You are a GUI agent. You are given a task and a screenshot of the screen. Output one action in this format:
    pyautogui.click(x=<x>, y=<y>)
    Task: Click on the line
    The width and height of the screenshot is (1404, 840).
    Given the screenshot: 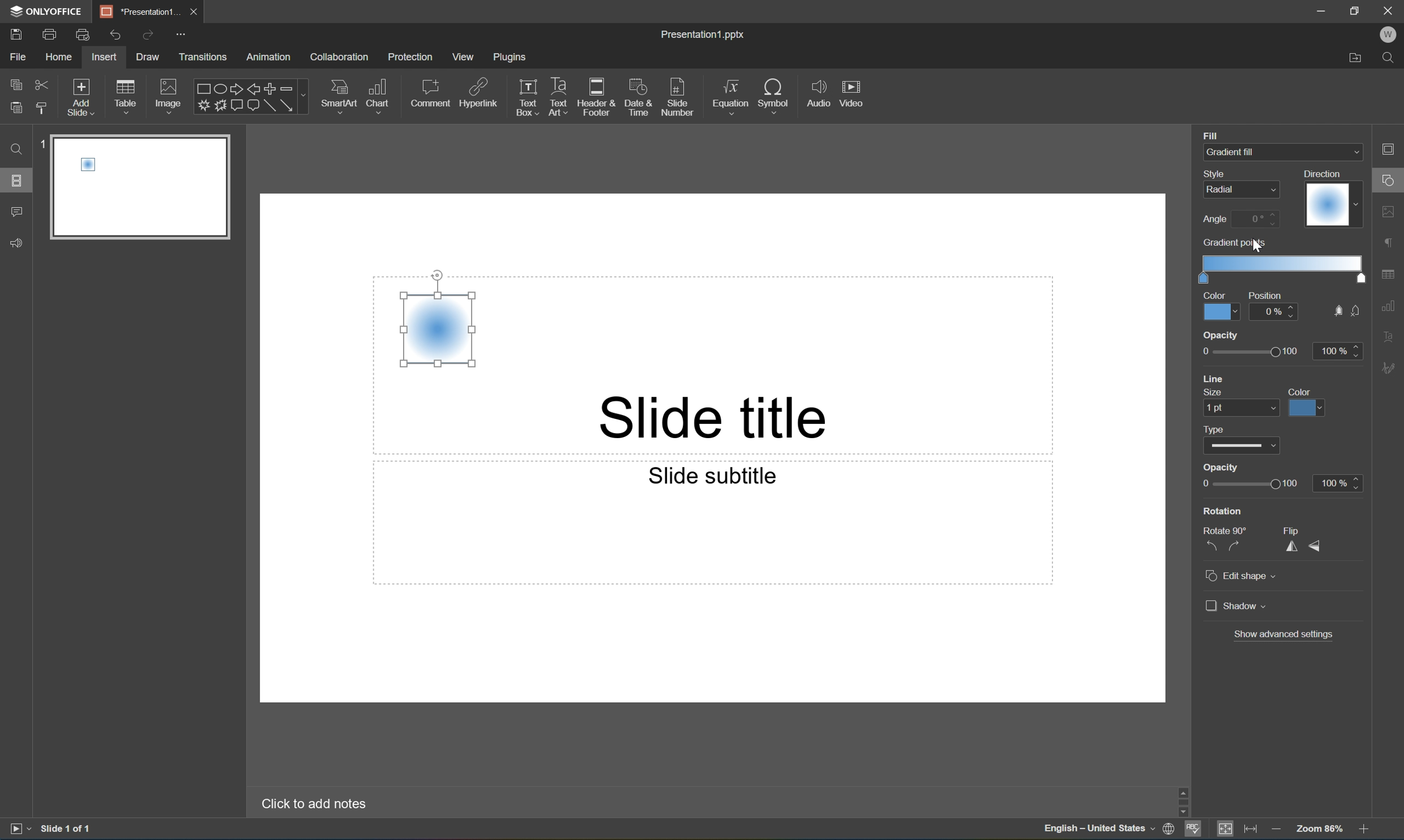 What is the action you would take?
    pyautogui.click(x=1215, y=380)
    